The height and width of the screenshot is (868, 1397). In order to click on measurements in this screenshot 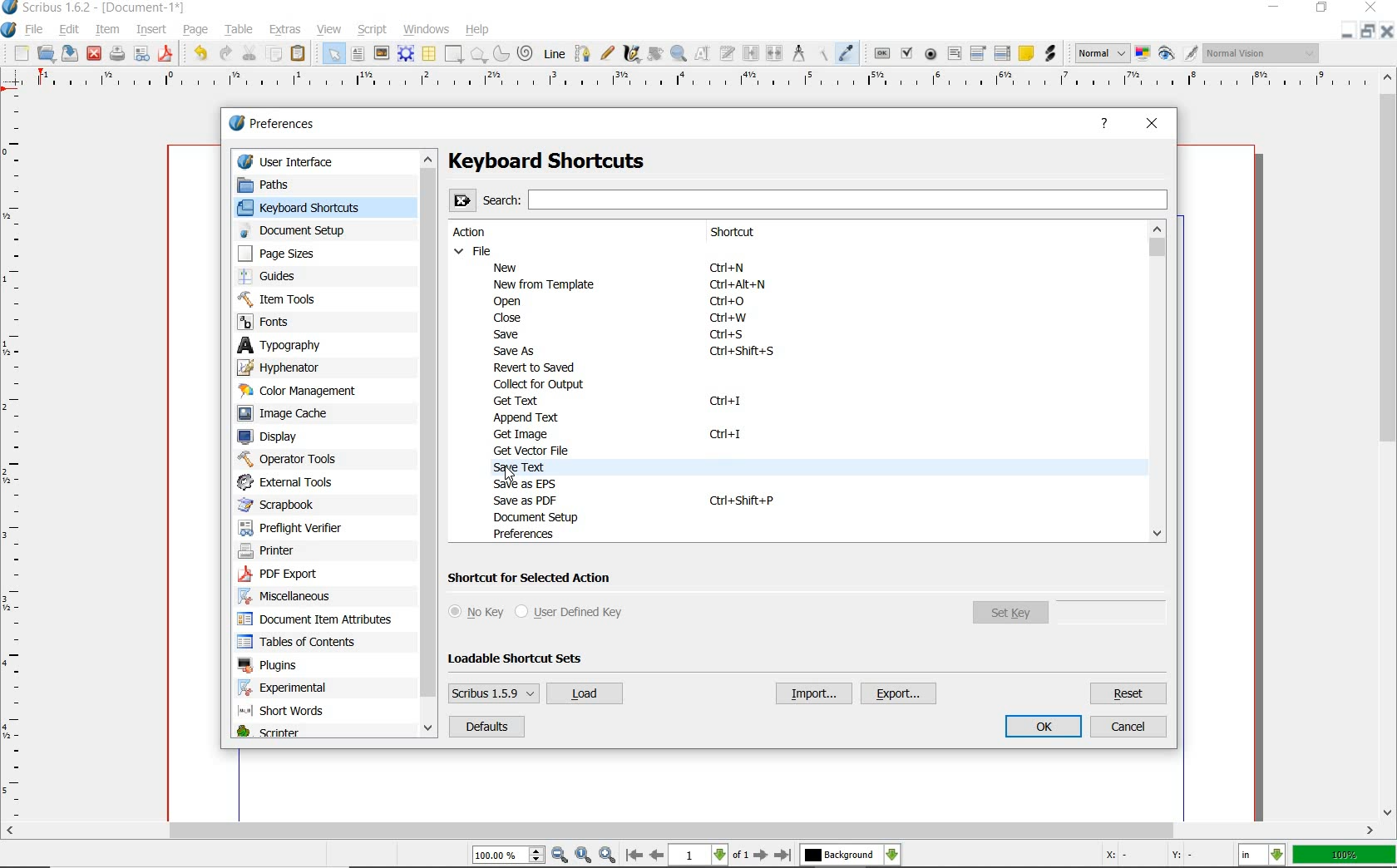, I will do `click(801, 55)`.